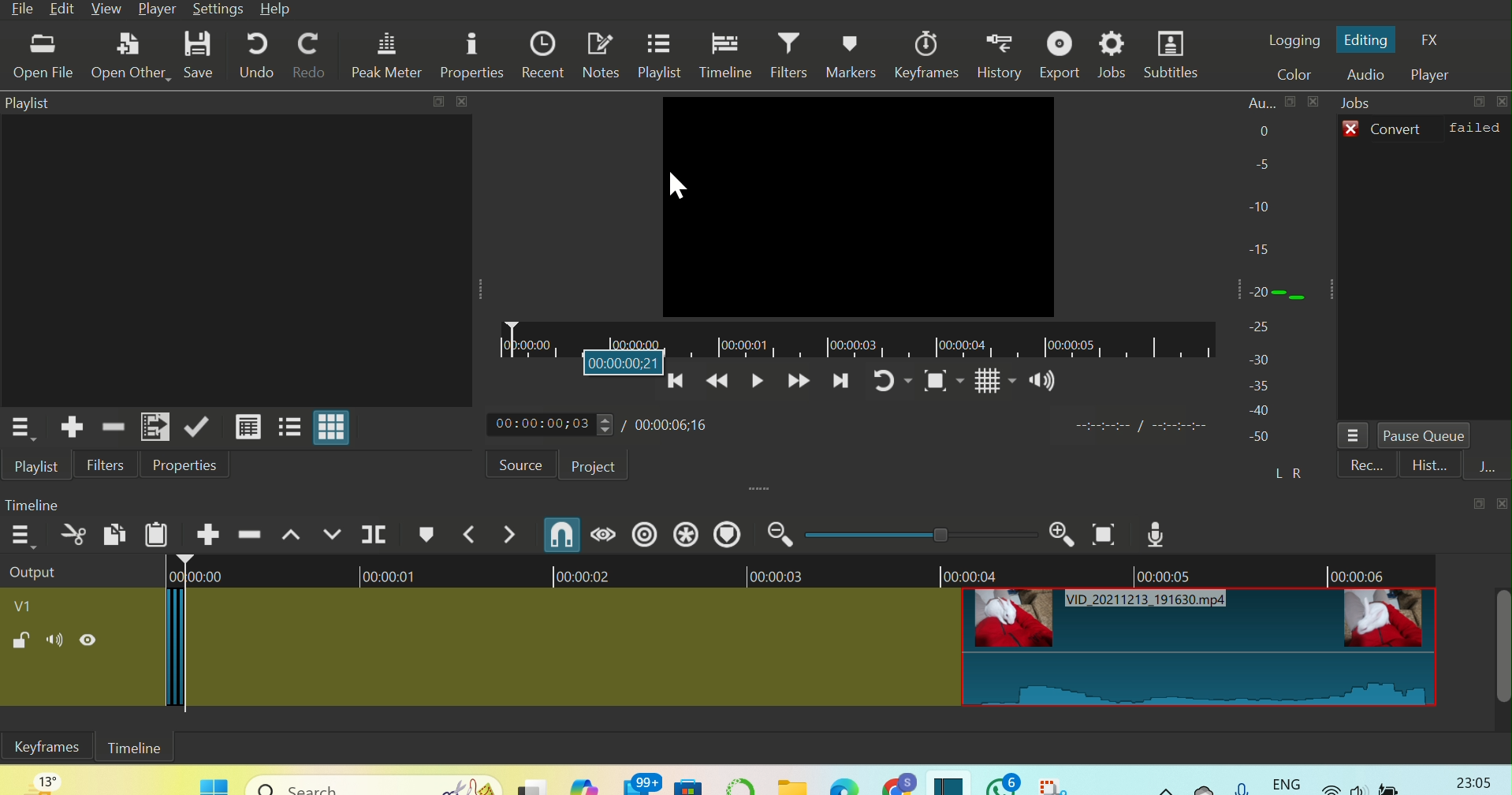 Image resolution: width=1512 pixels, height=795 pixels. Describe the element at coordinates (1290, 77) in the screenshot. I see `Color` at that location.